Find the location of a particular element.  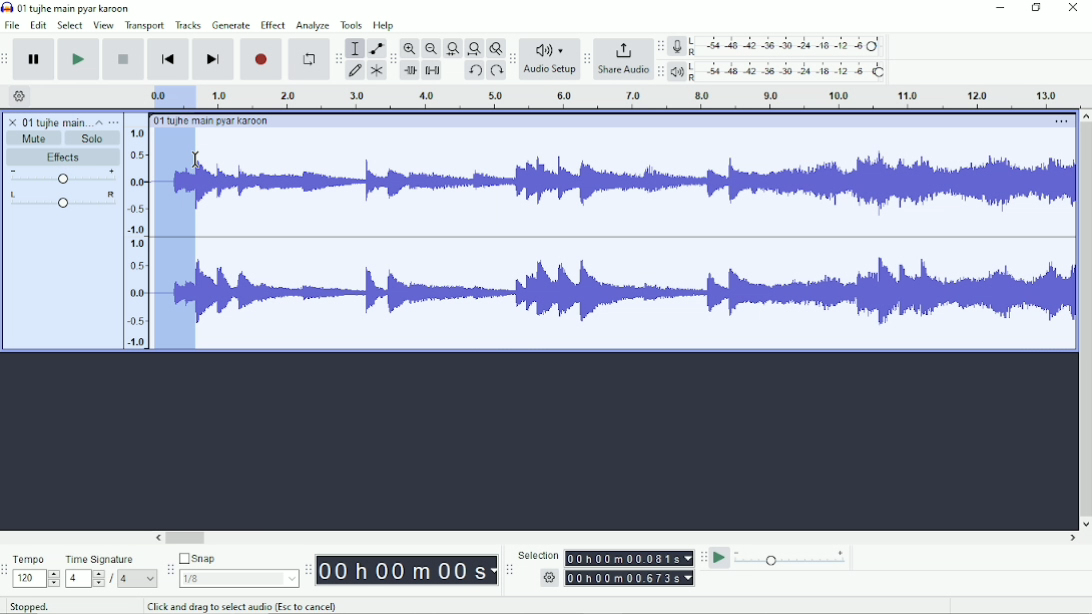

Already Played is located at coordinates (169, 96).